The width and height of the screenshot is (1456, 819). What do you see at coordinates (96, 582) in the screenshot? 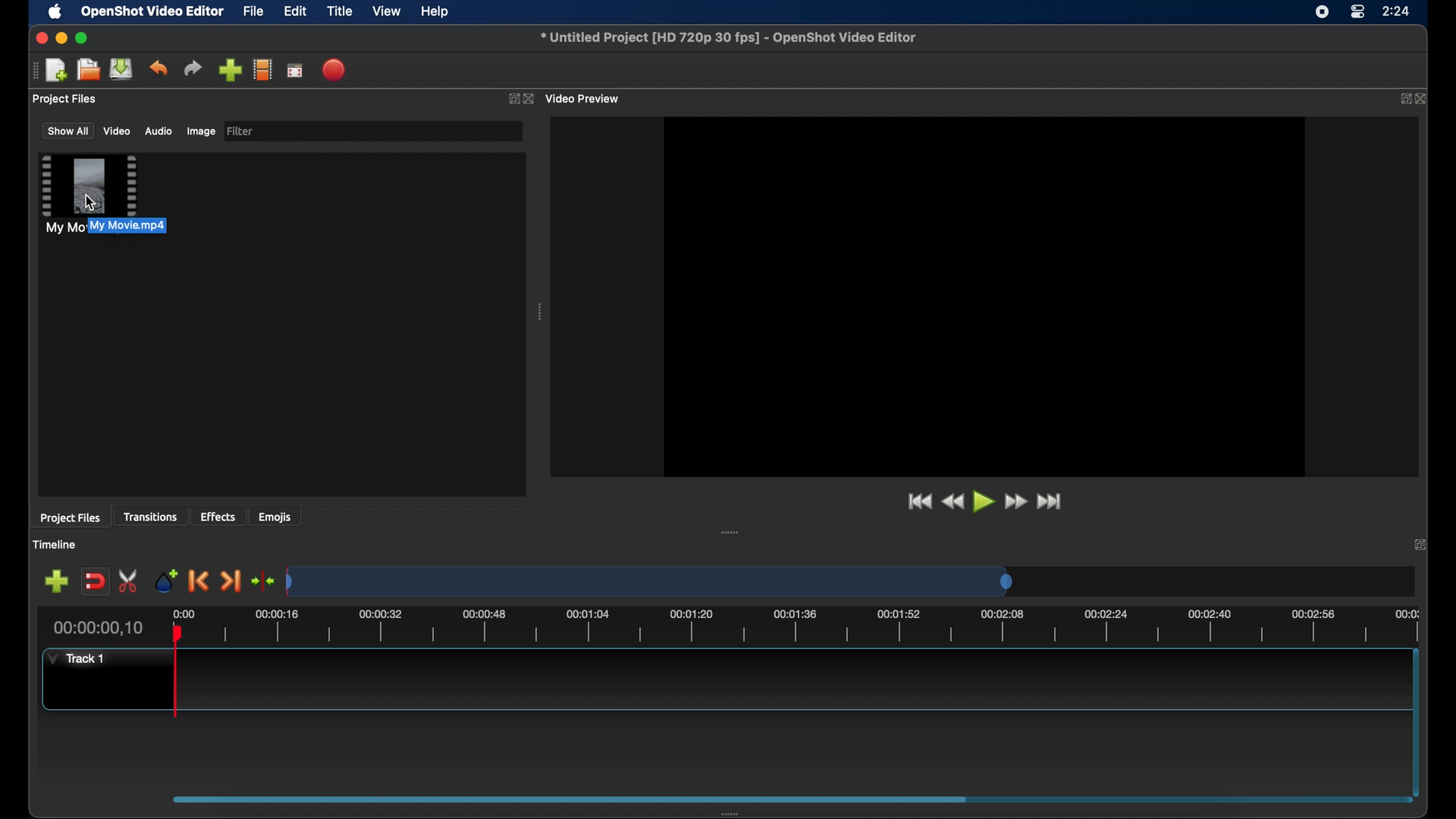
I see `disable snapping` at bounding box center [96, 582].